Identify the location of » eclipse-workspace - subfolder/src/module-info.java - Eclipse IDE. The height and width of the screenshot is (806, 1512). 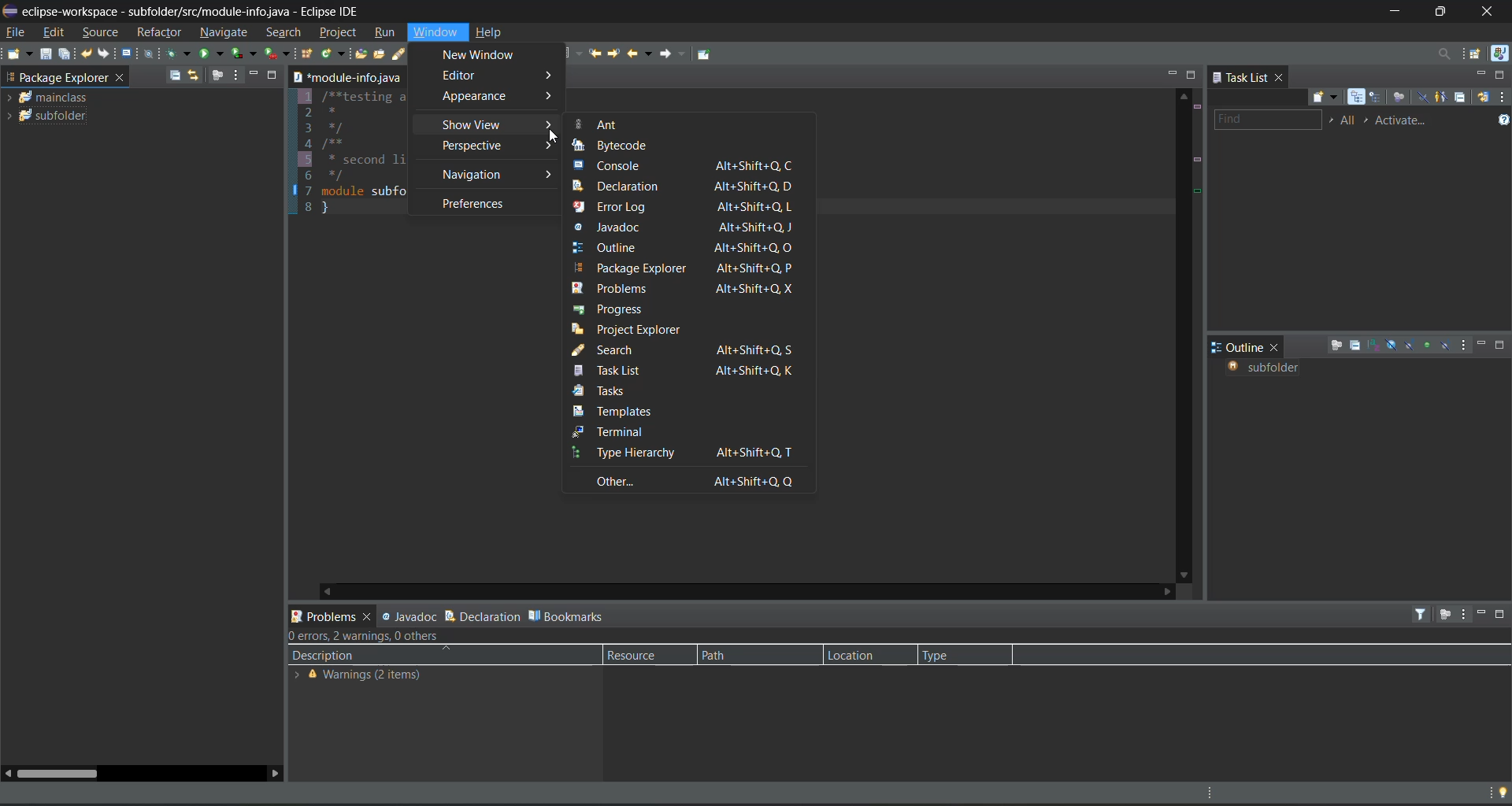
(201, 9).